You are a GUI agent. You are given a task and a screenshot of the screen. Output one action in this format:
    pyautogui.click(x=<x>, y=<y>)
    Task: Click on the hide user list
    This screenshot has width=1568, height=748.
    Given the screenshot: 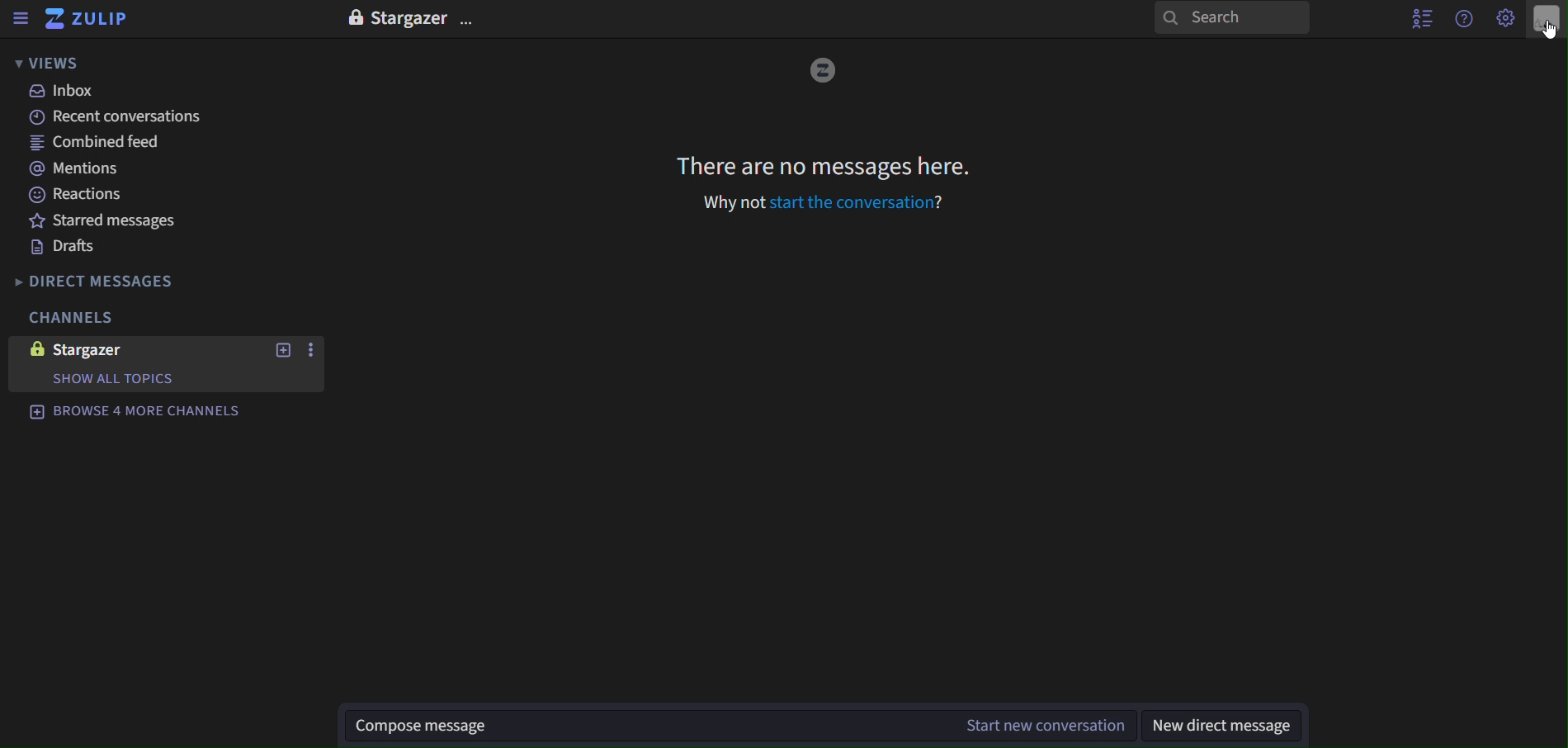 What is the action you would take?
    pyautogui.click(x=1415, y=19)
    